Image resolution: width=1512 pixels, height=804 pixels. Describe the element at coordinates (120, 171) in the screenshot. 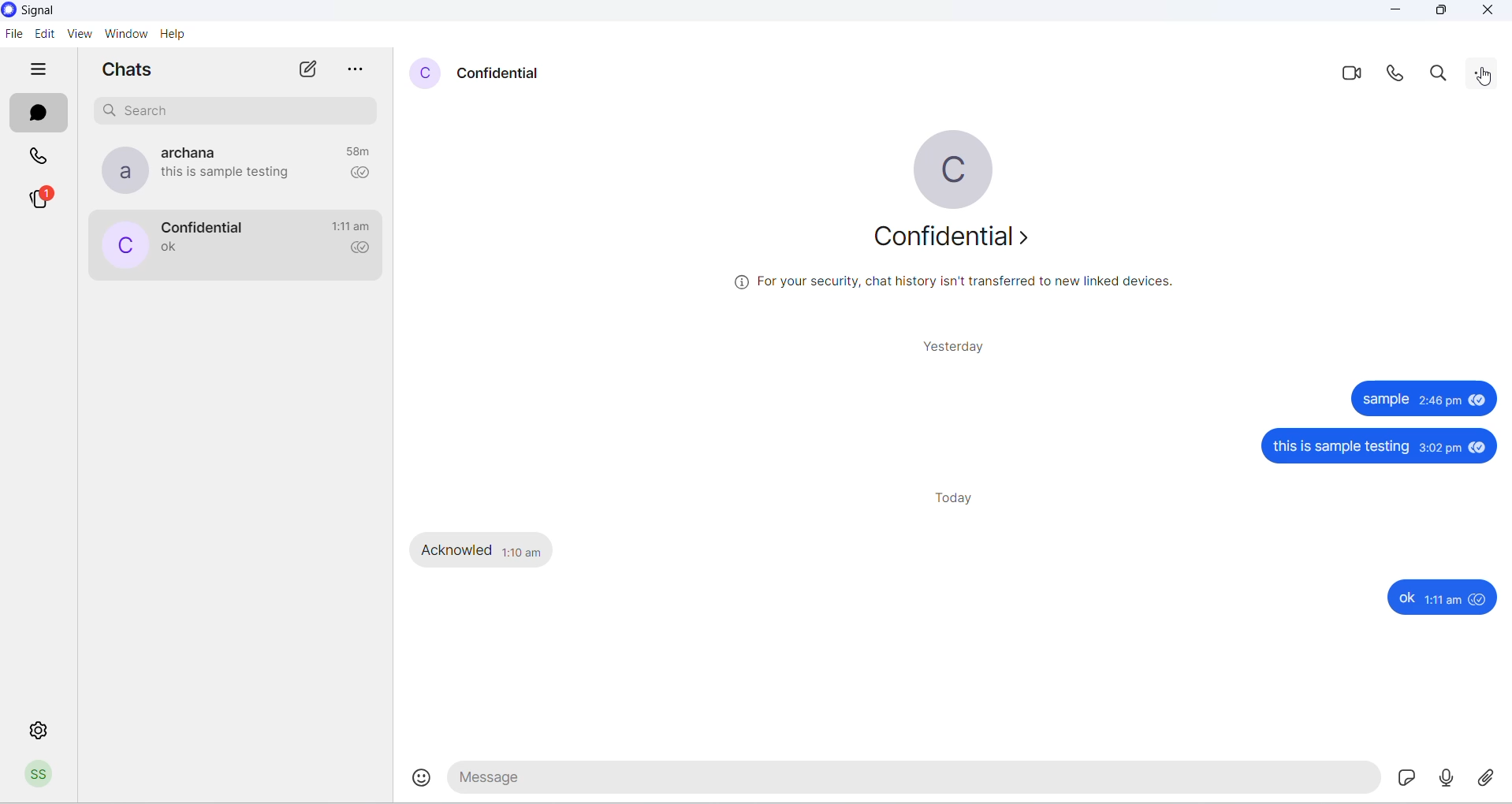

I see `profile picture` at that location.